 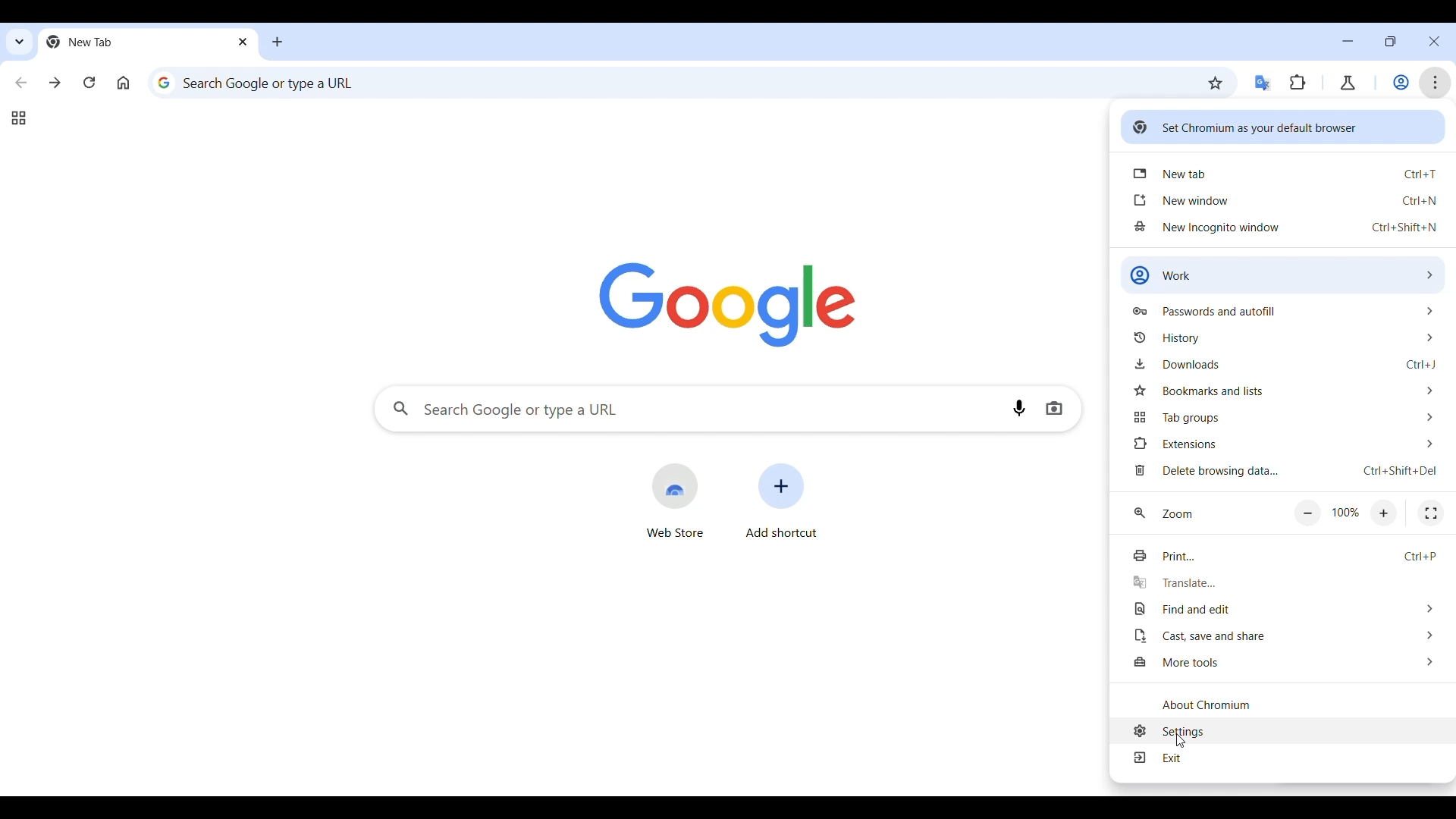 I want to click on Reload page, so click(x=89, y=83).